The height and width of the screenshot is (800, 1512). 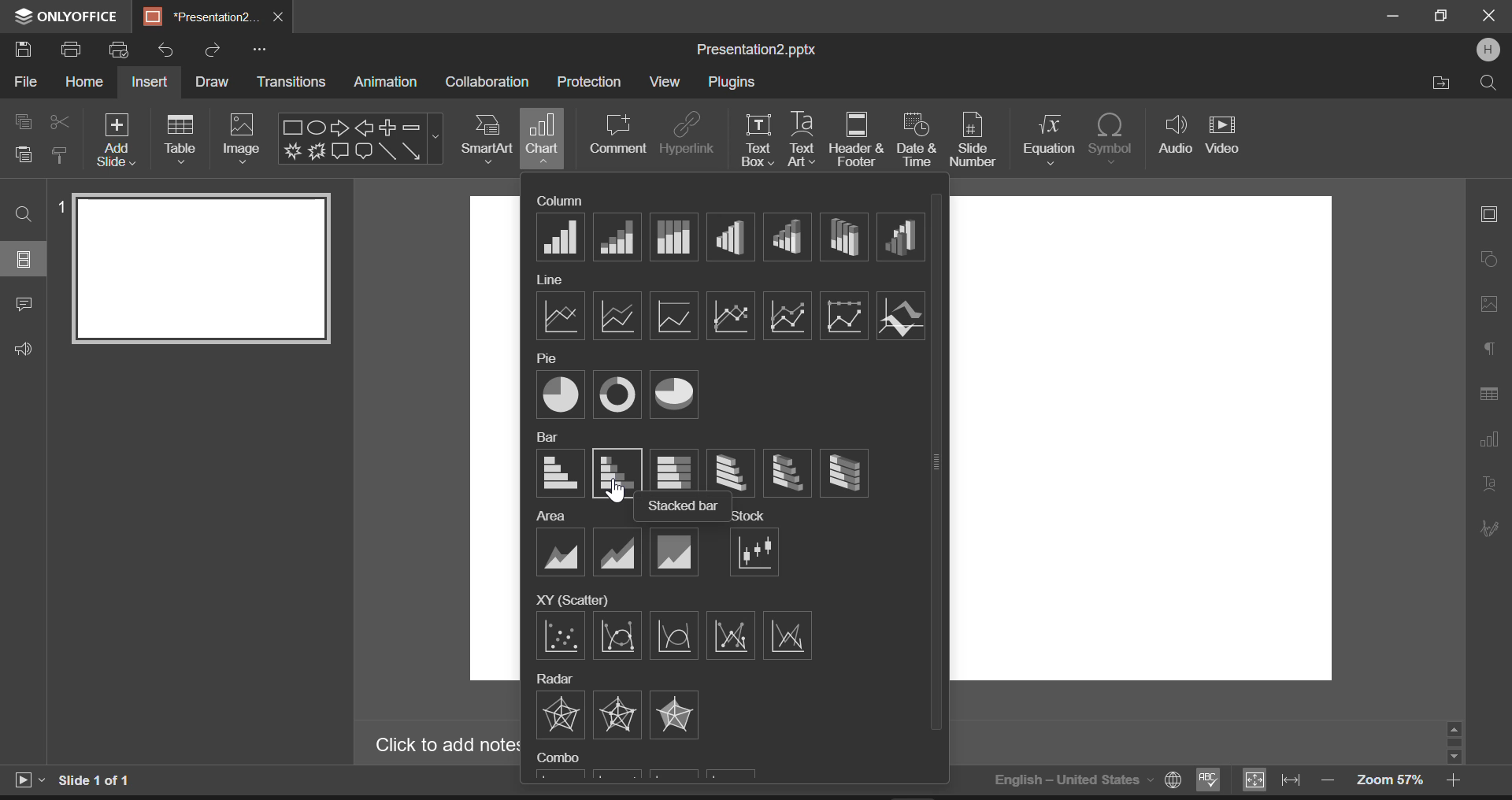 What do you see at coordinates (201, 17) in the screenshot?
I see `*Presentation2.pptx` at bounding box center [201, 17].